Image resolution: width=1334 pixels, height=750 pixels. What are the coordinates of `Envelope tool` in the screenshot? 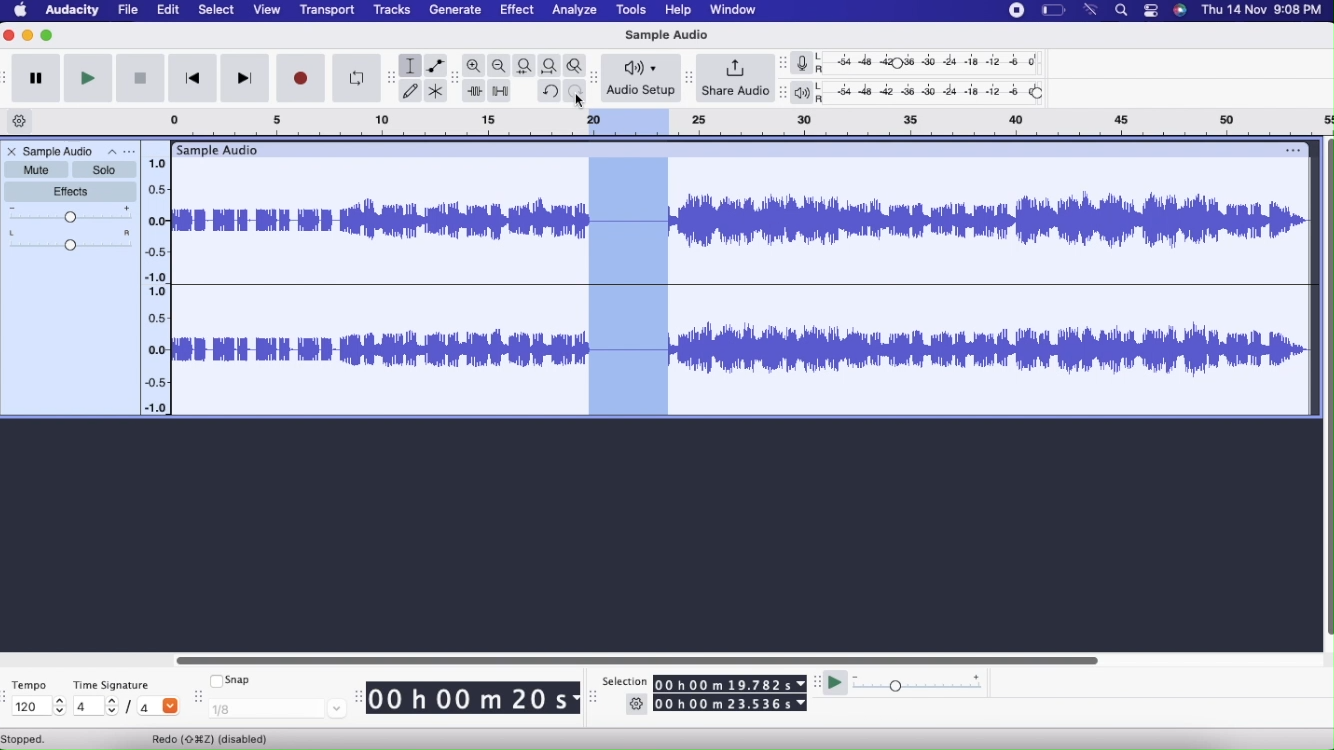 It's located at (436, 66).